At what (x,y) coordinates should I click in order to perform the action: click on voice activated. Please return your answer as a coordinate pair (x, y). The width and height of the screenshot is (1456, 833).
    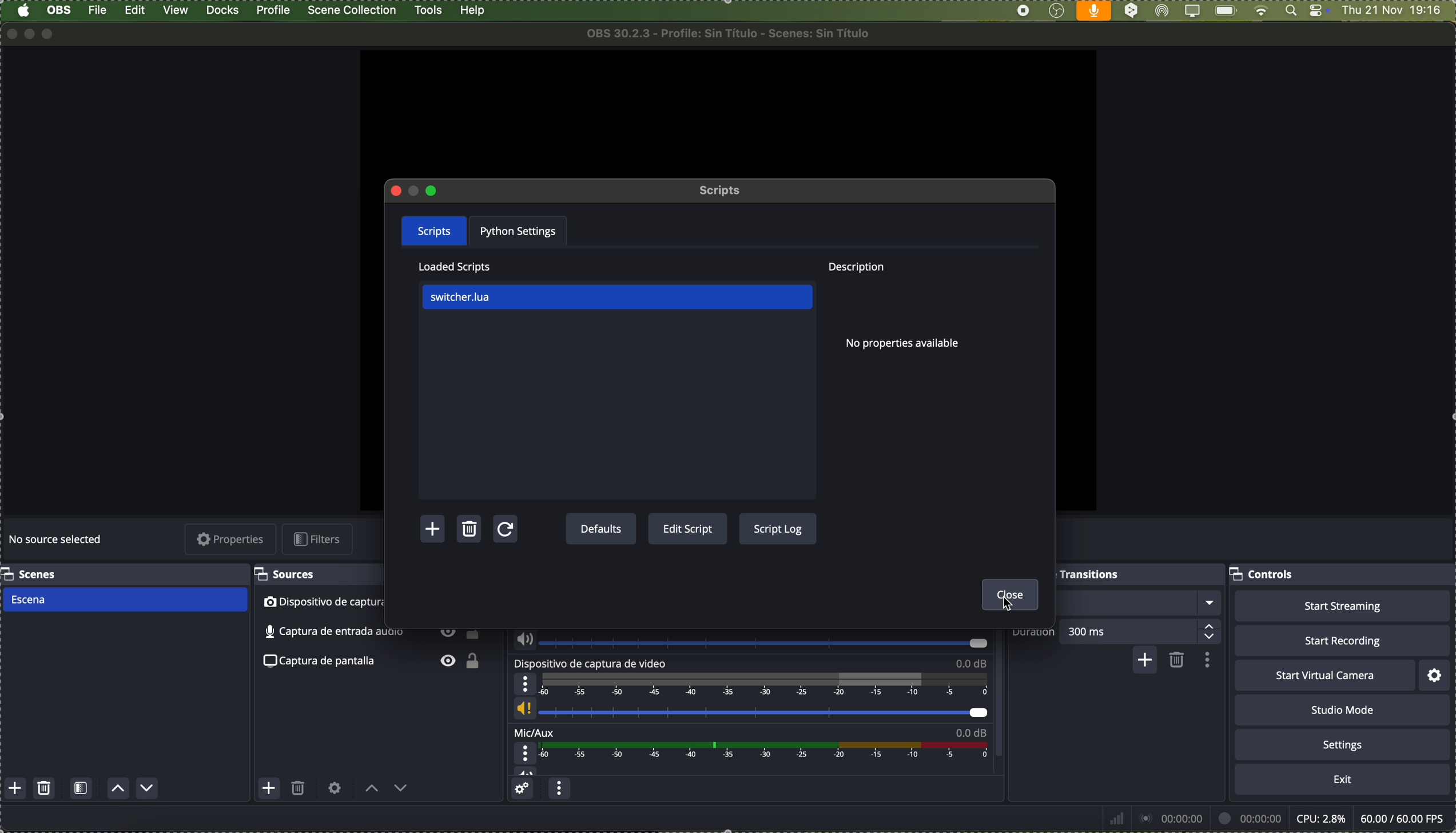
    Looking at the image, I should click on (1094, 11).